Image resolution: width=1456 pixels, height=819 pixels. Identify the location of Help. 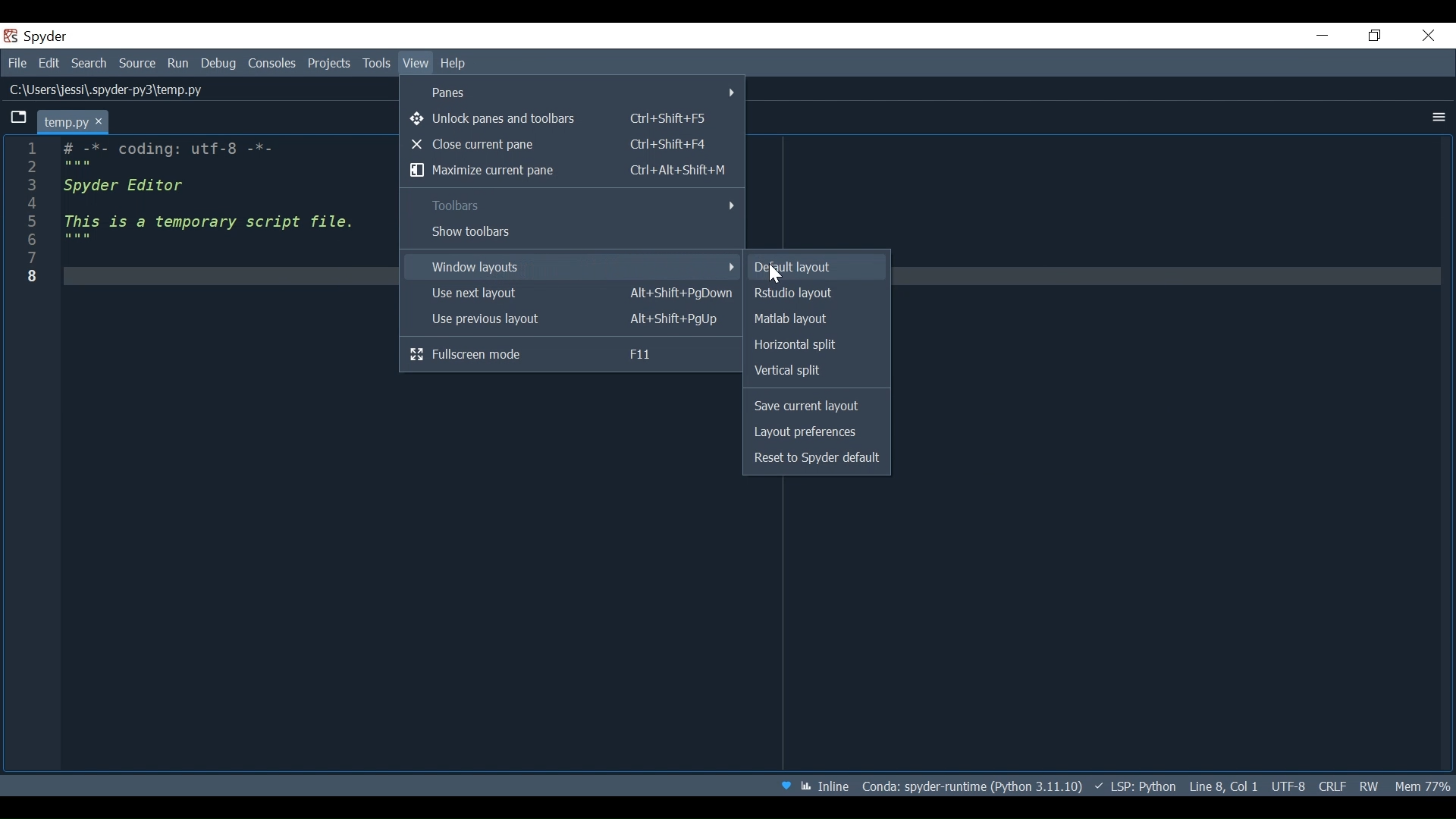
(457, 64).